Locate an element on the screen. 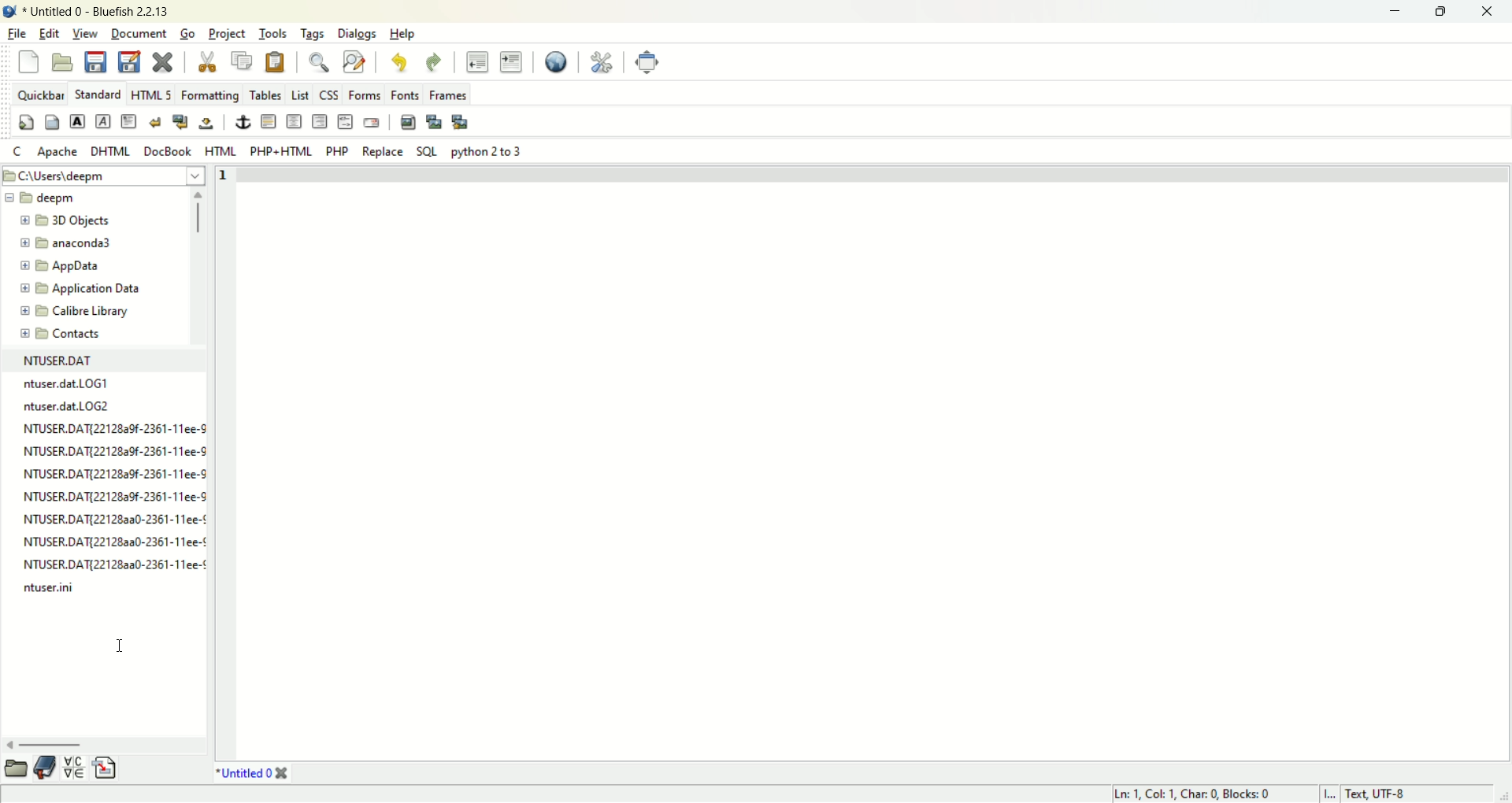  break and clear is located at coordinates (181, 120).